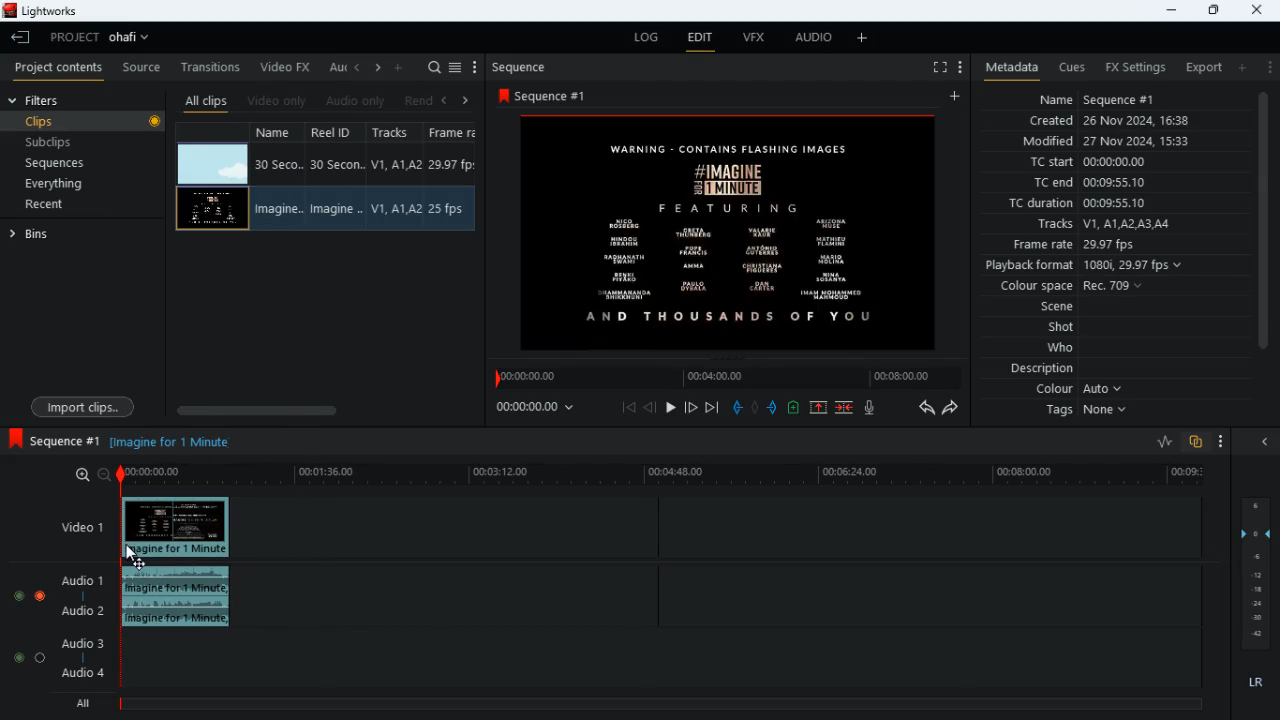 The width and height of the screenshot is (1280, 720). Describe the element at coordinates (1119, 122) in the screenshot. I see `created` at that location.